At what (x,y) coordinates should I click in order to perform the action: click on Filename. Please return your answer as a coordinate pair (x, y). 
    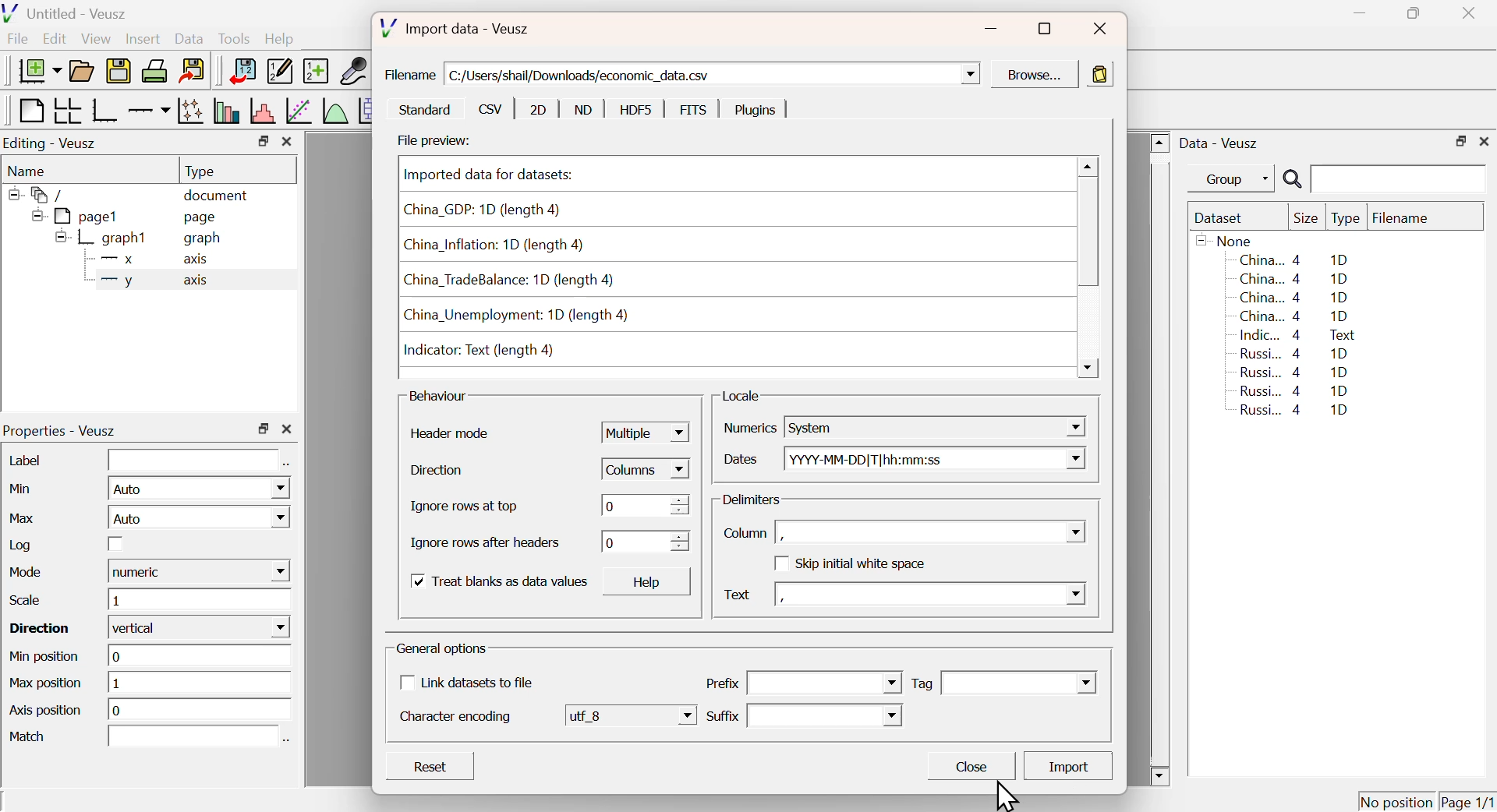
    Looking at the image, I should click on (1408, 219).